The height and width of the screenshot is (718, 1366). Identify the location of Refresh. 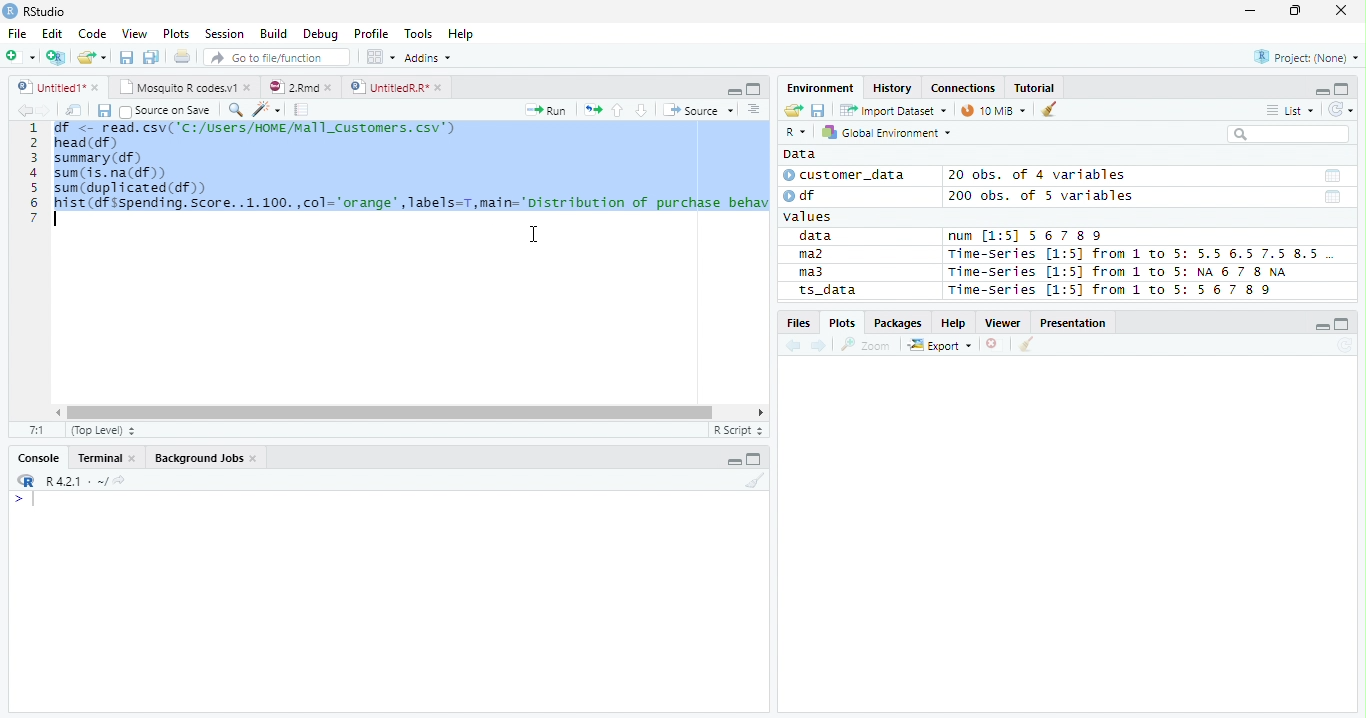
(1341, 107).